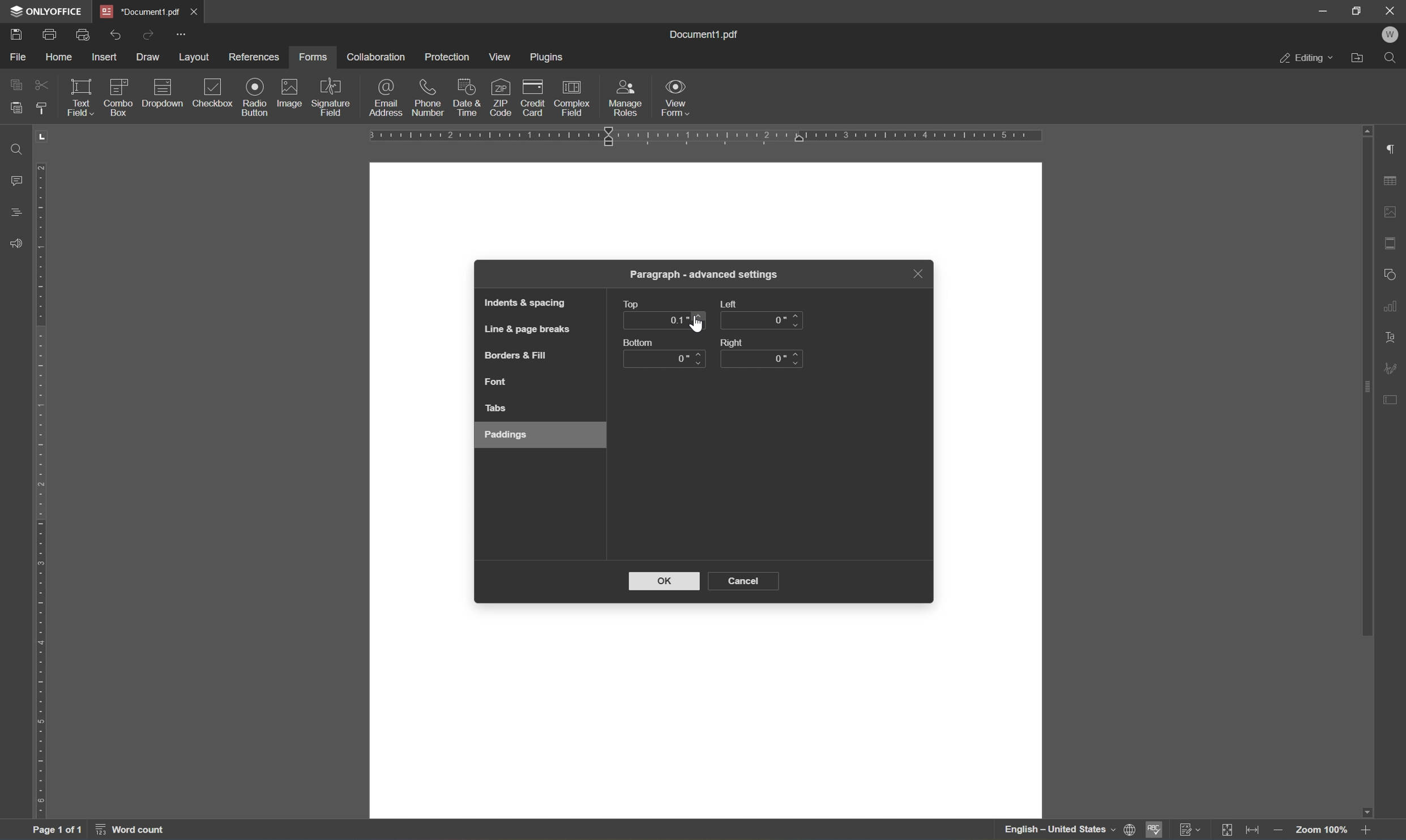 The width and height of the screenshot is (1406, 840). What do you see at coordinates (164, 93) in the screenshot?
I see `dropdown` at bounding box center [164, 93].